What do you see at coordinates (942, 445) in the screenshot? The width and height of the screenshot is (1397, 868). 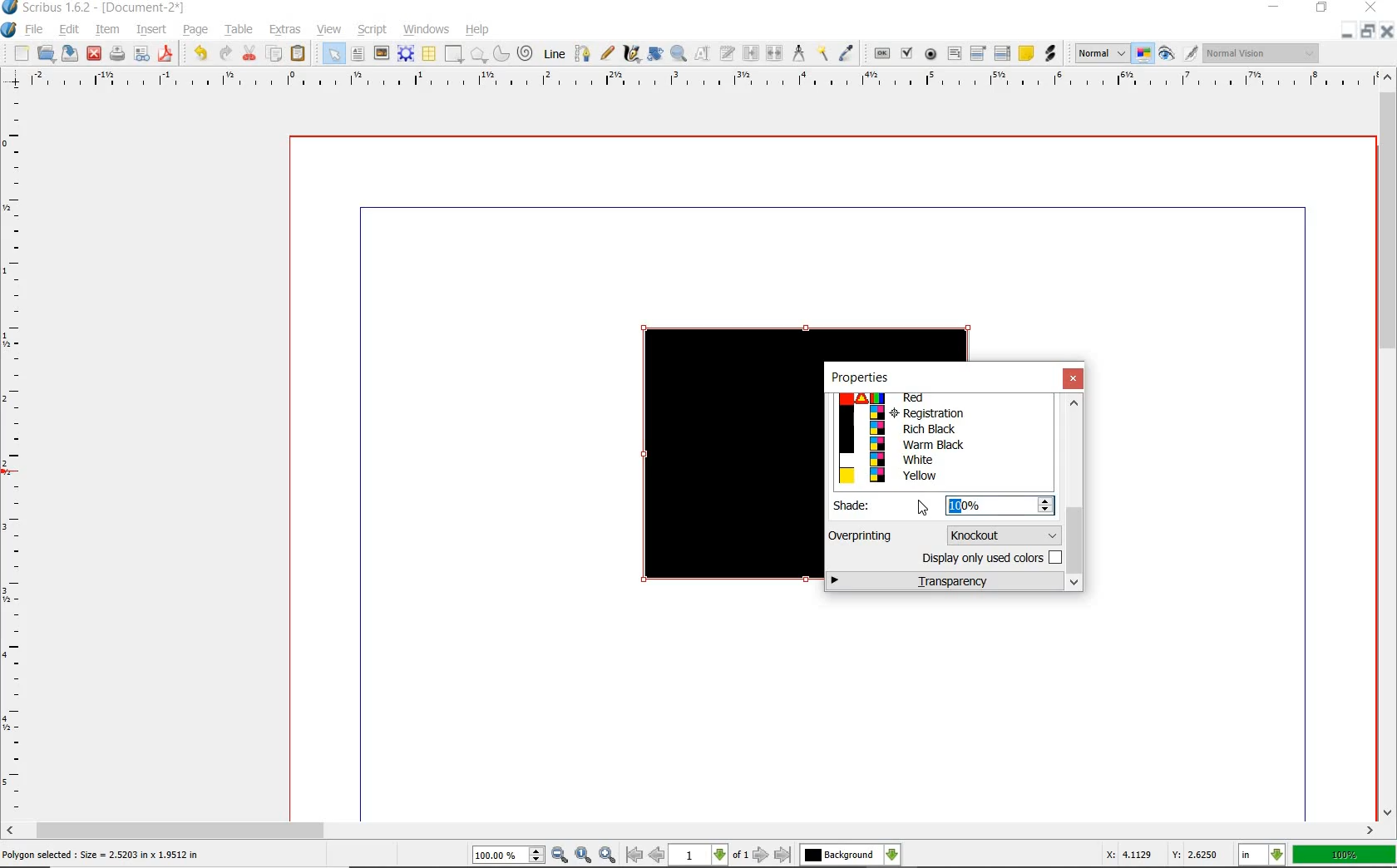 I see `Warm Black` at bounding box center [942, 445].